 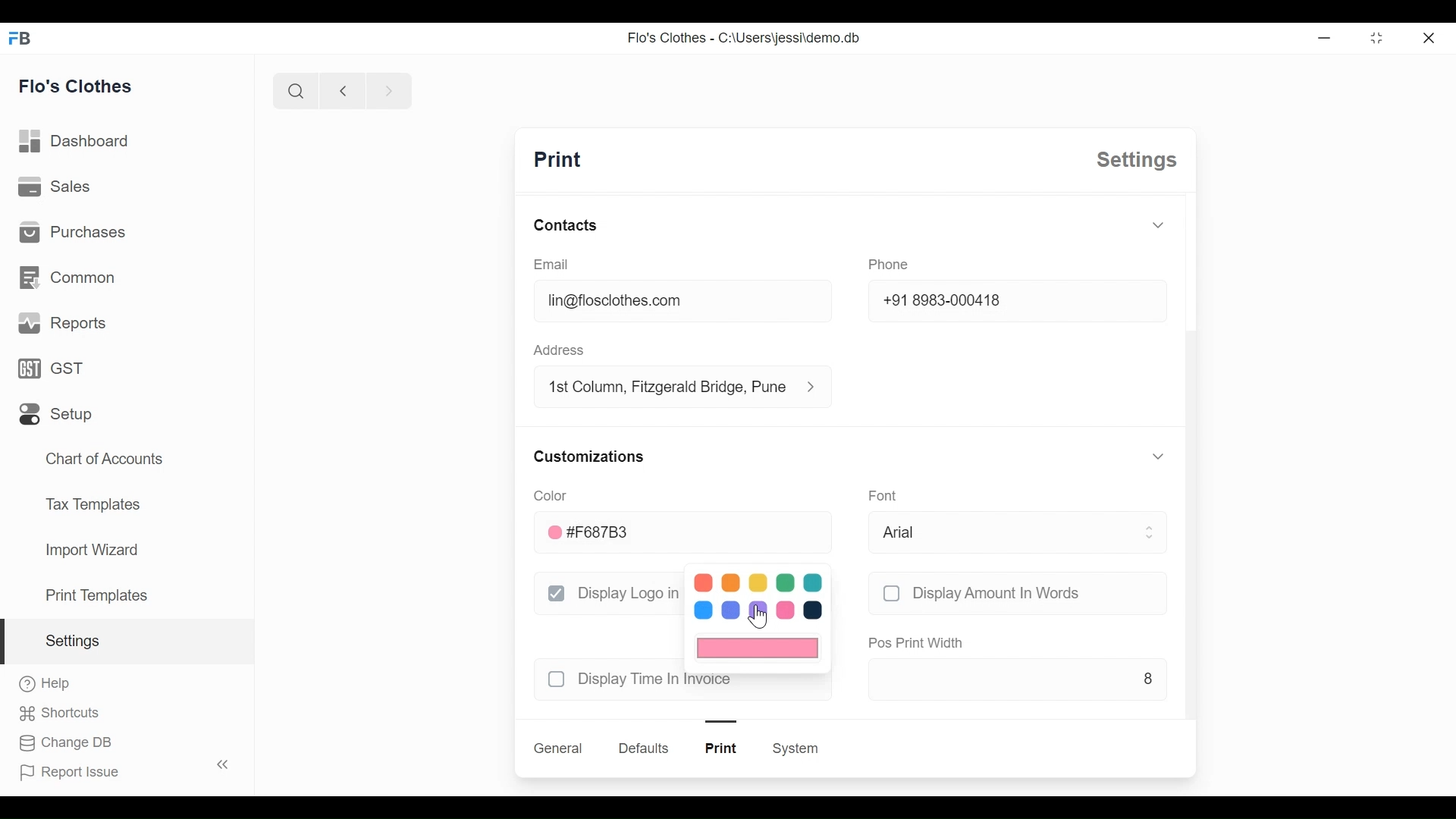 What do you see at coordinates (1322, 37) in the screenshot?
I see `Minimize` at bounding box center [1322, 37].